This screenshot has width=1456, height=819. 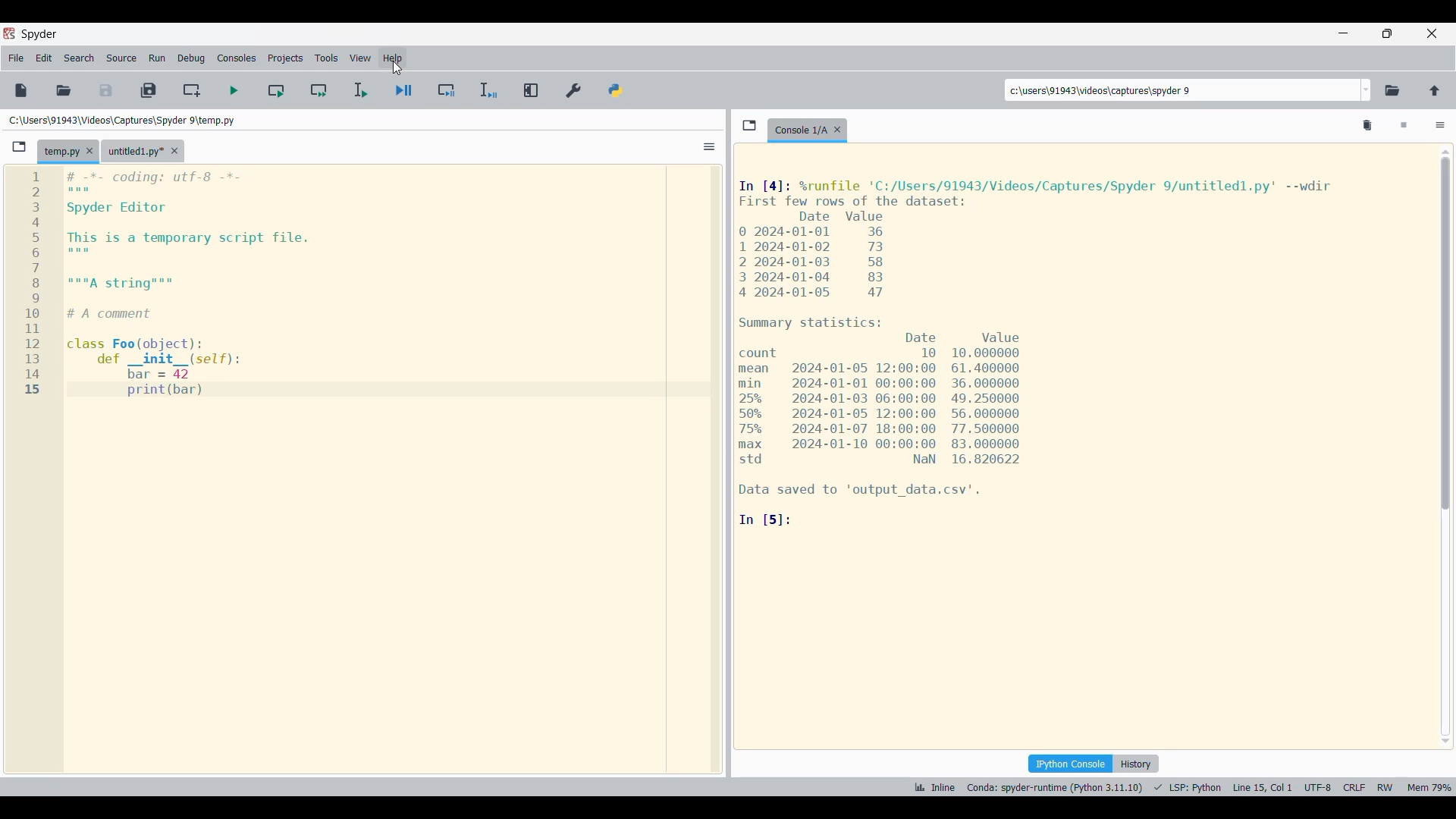 I want to click on Show in a smaller tab, so click(x=1388, y=33).